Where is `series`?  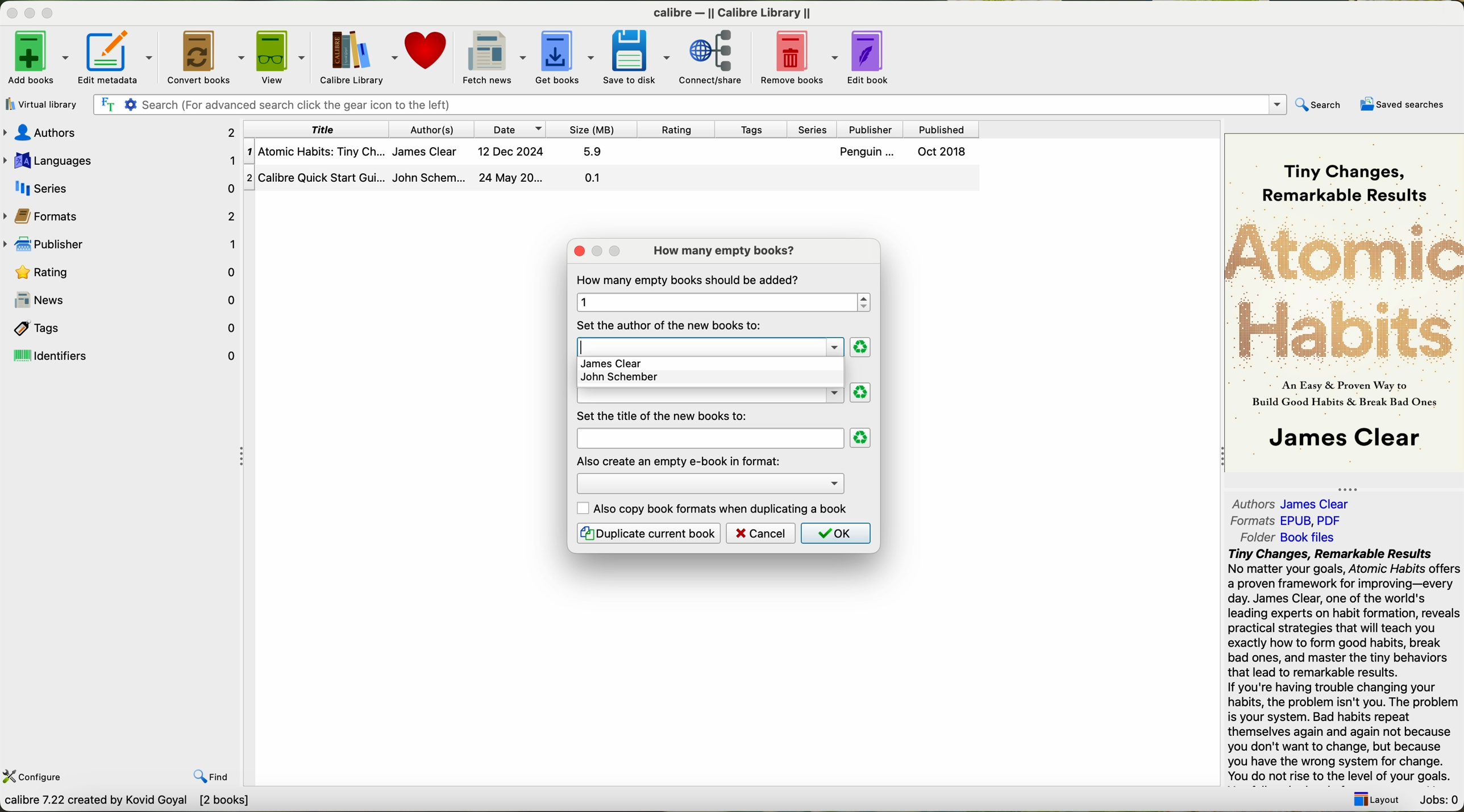 series is located at coordinates (119, 185).